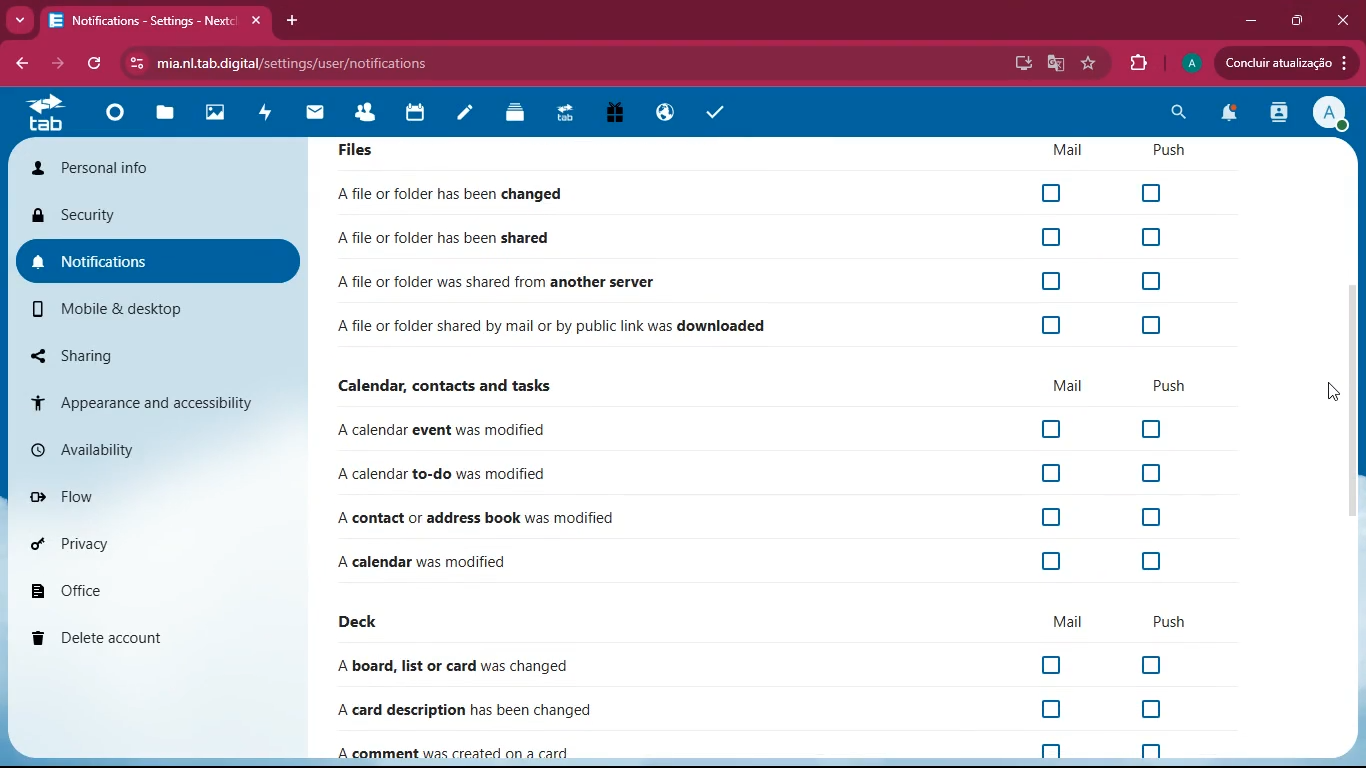 This screenshot has width=1366, height=768. I want to click on minimize, so click(1252, 20).